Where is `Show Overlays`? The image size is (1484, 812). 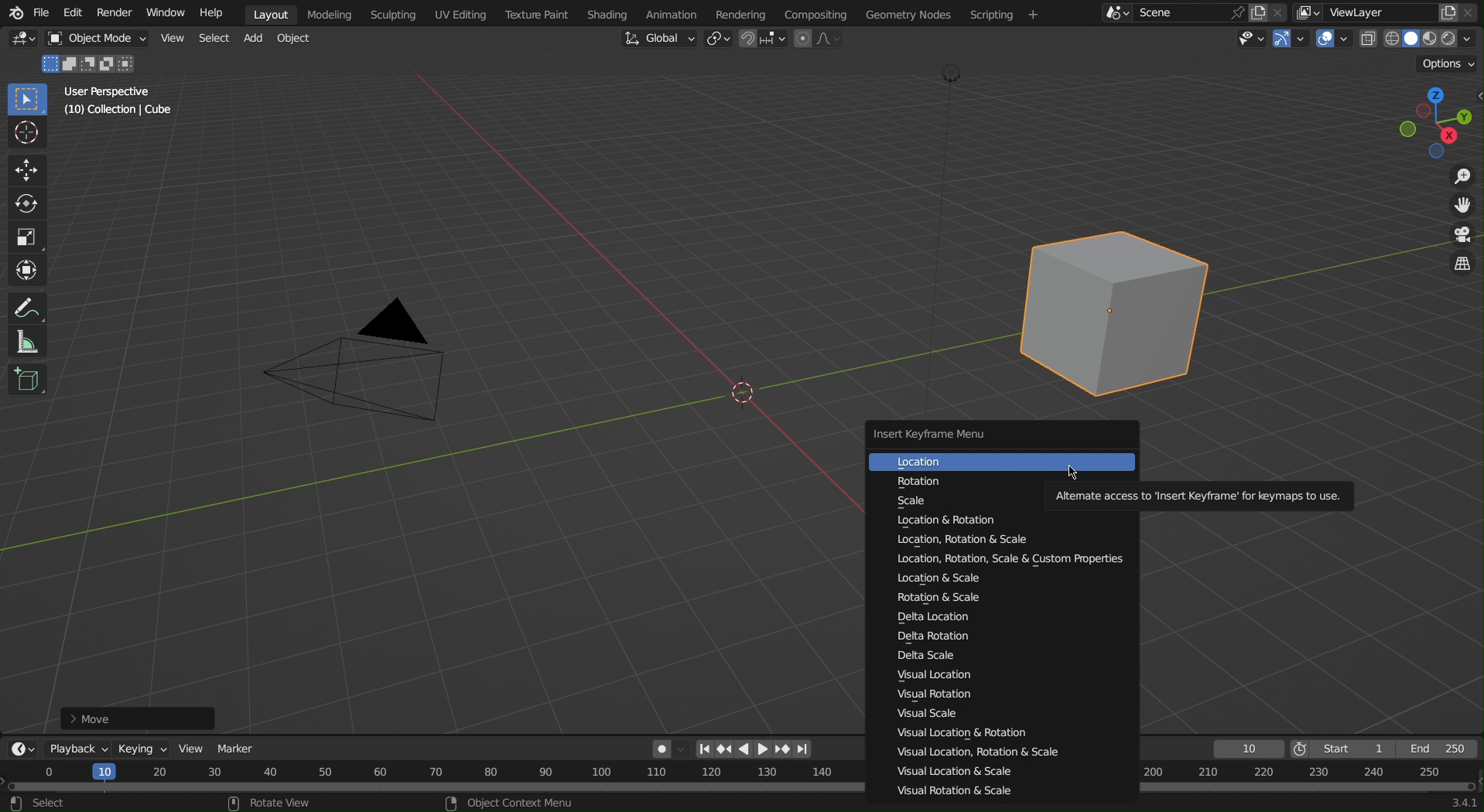
Show Overlays is located at coordinates (1334, 39).